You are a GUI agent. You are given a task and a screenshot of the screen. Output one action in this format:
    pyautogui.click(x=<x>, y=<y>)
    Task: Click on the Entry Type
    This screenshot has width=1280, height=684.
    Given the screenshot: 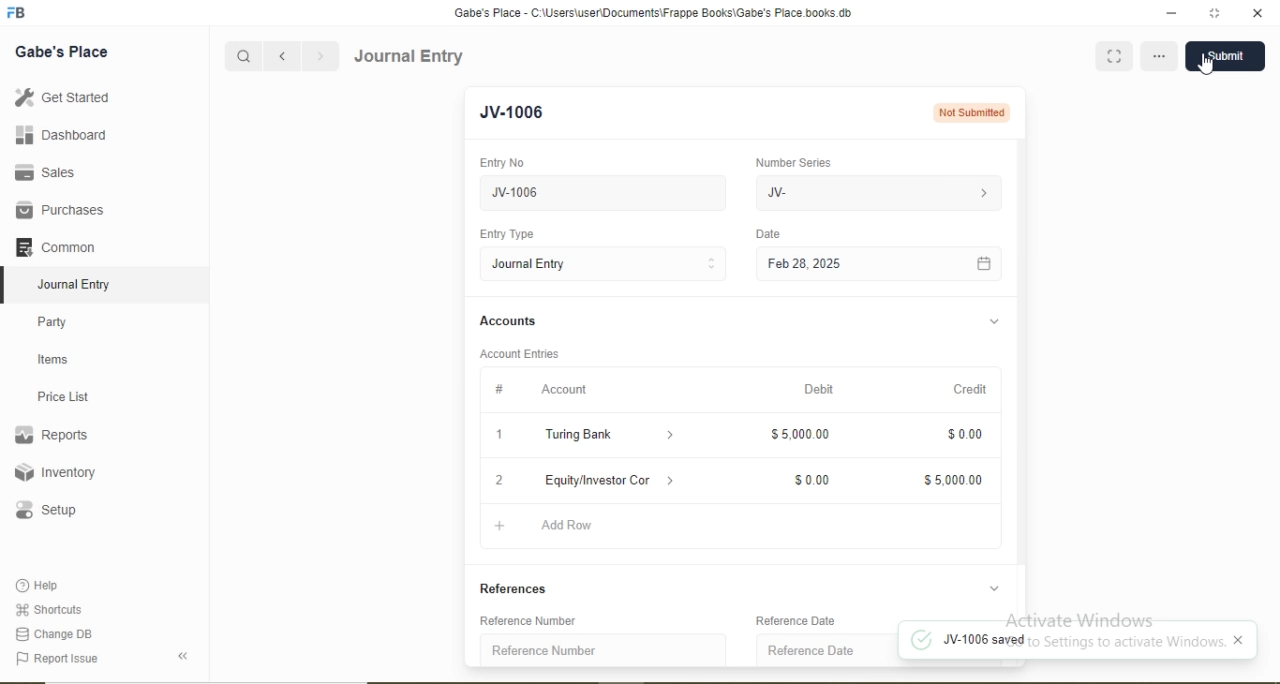 What is the action you would take?
    pyautogui.click(x=505, y=234)
    